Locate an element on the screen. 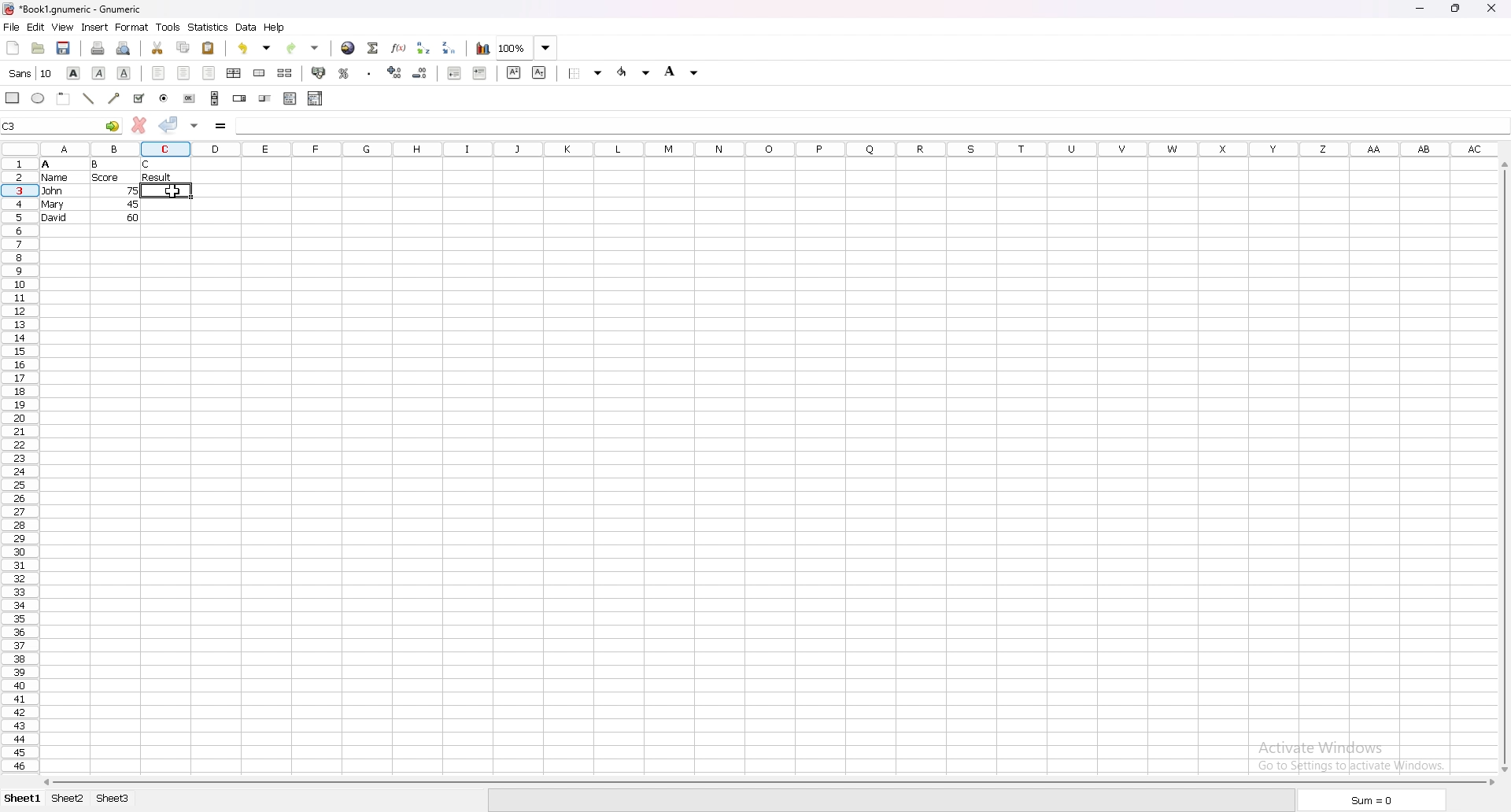 This screenshot has height=812, width=1511. redo is located at coordinates (303, 49).